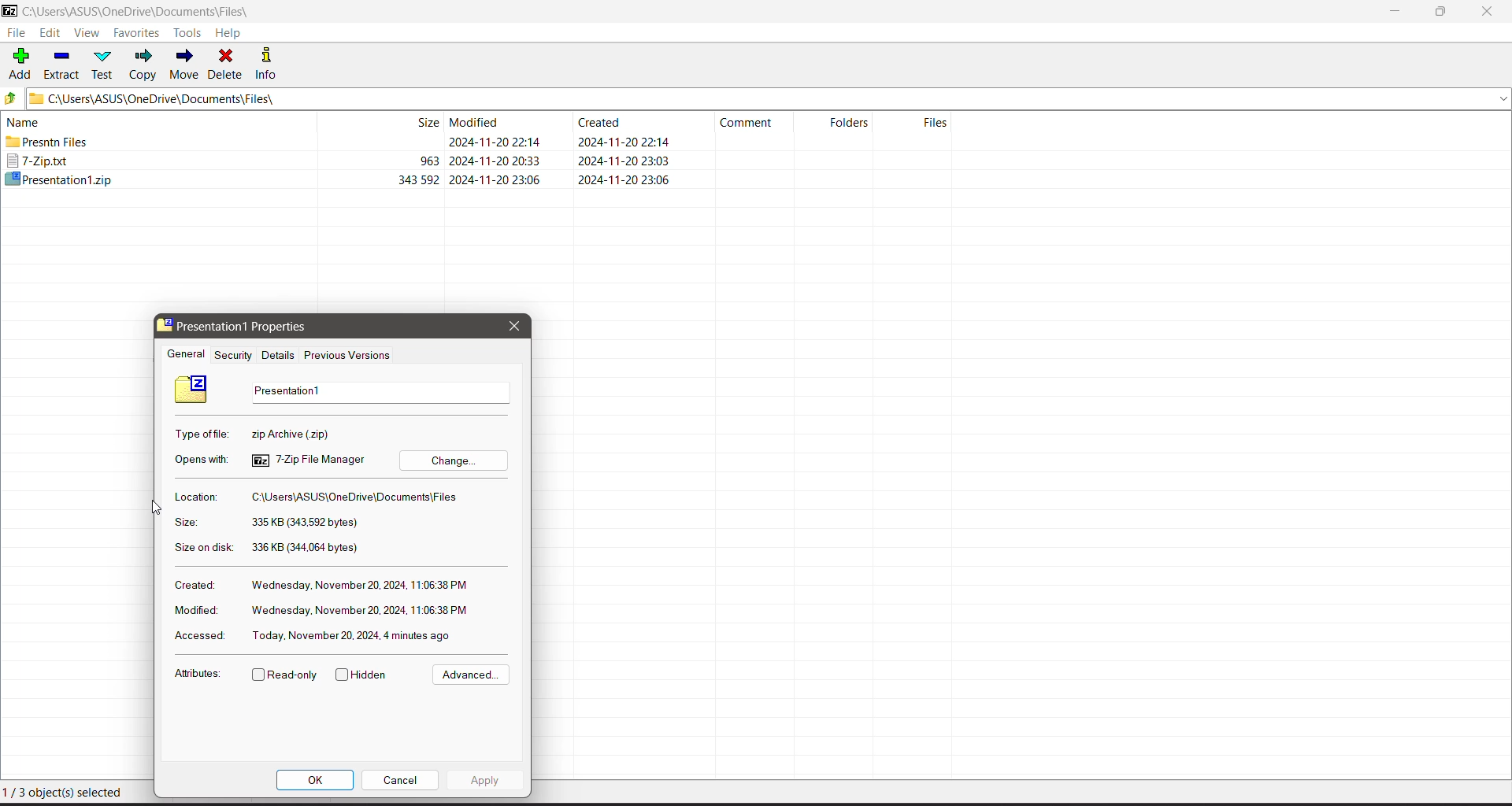  Describe the element at coordinates (252, 327) in the screenshot. I see `Selected File properties` at that location.